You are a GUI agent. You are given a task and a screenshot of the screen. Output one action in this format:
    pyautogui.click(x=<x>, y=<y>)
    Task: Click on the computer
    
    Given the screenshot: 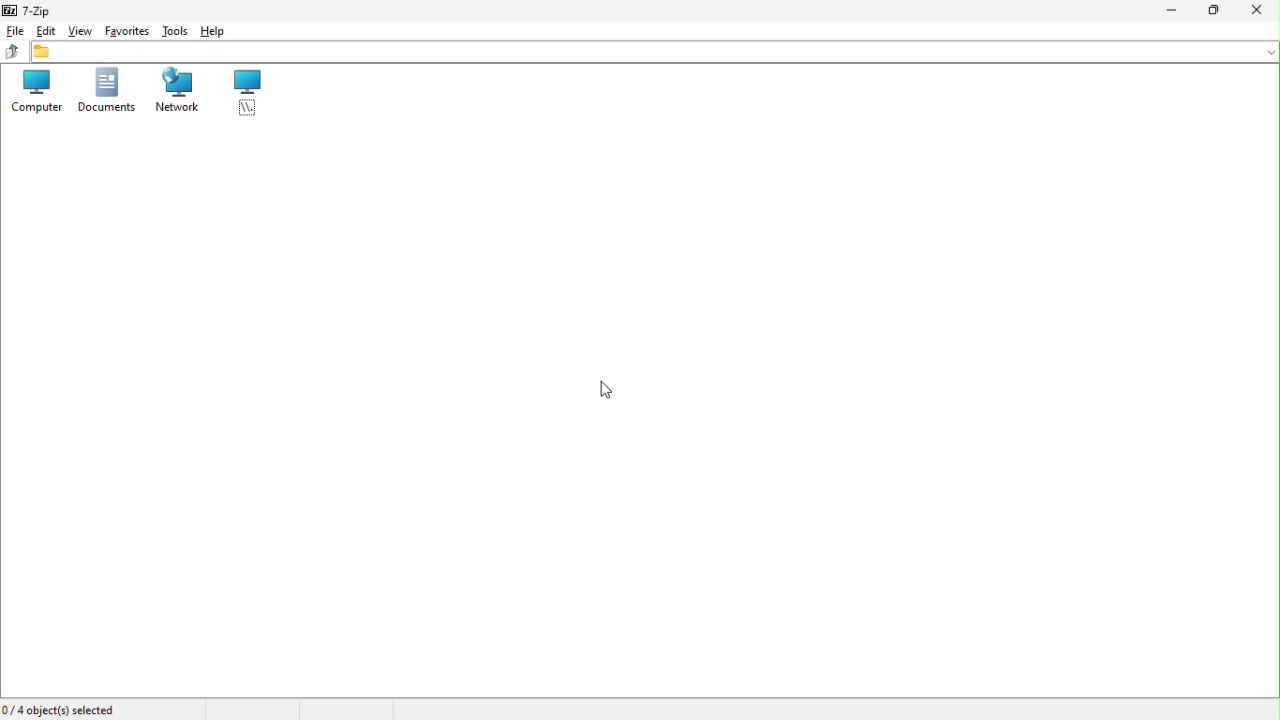 What is the action you would take?
    pyautogui.click(x=31, y=94)
    